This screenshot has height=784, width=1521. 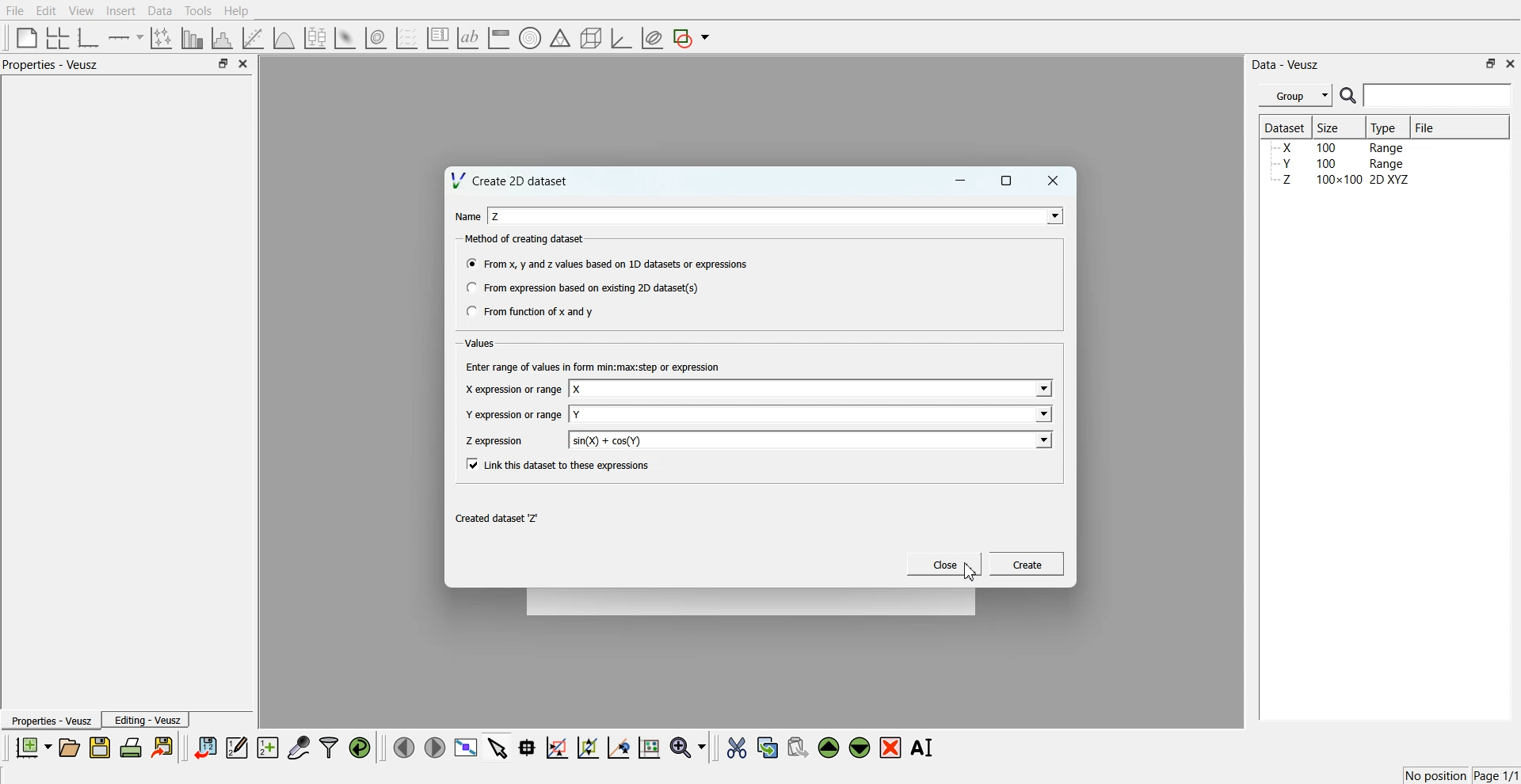 I want to click on Data - Veusz, so click(x=1285, y=65).